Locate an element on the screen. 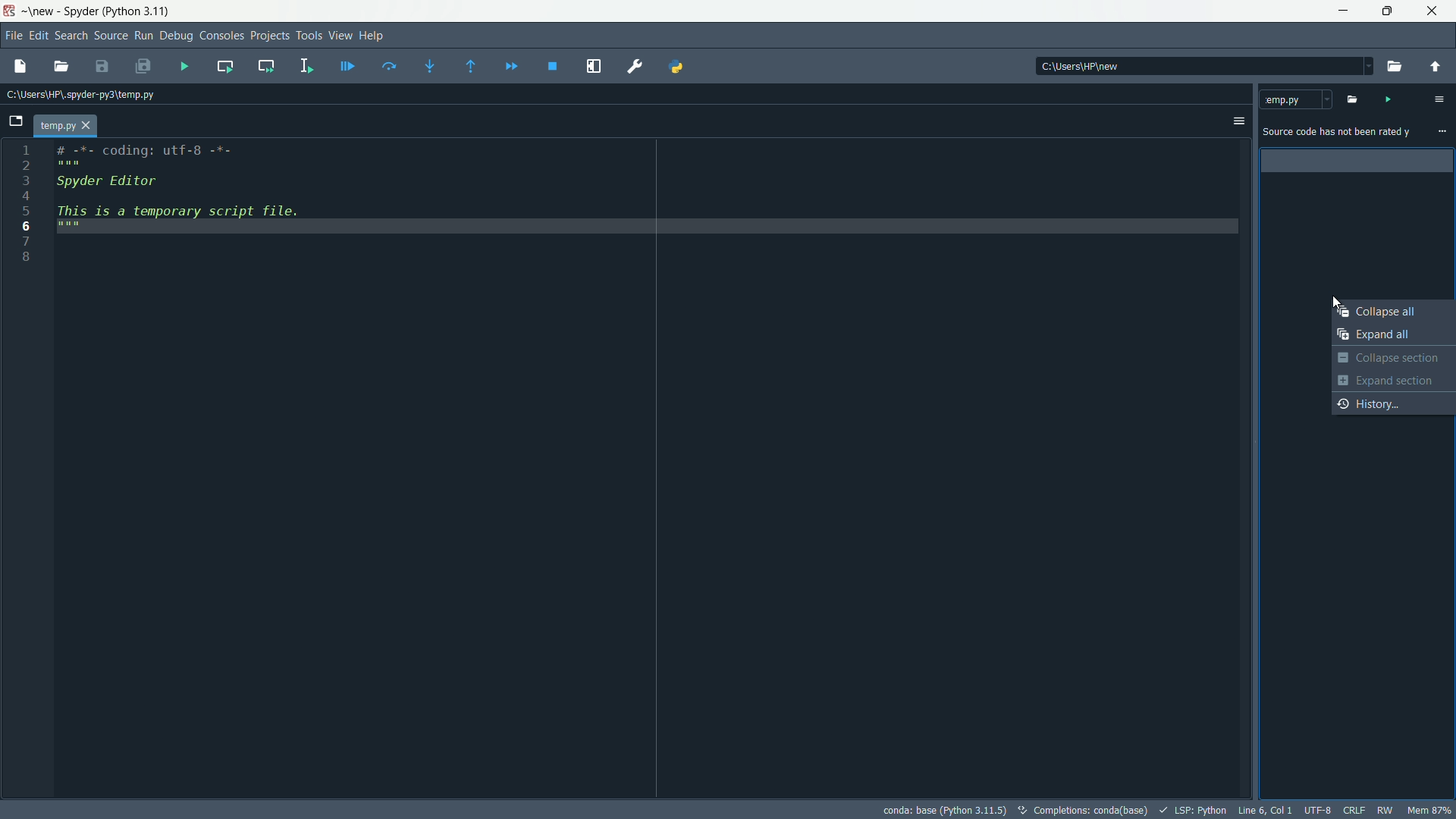 This screenshot has height=819, width=1456. 5 is located at coordinates (27, 211).